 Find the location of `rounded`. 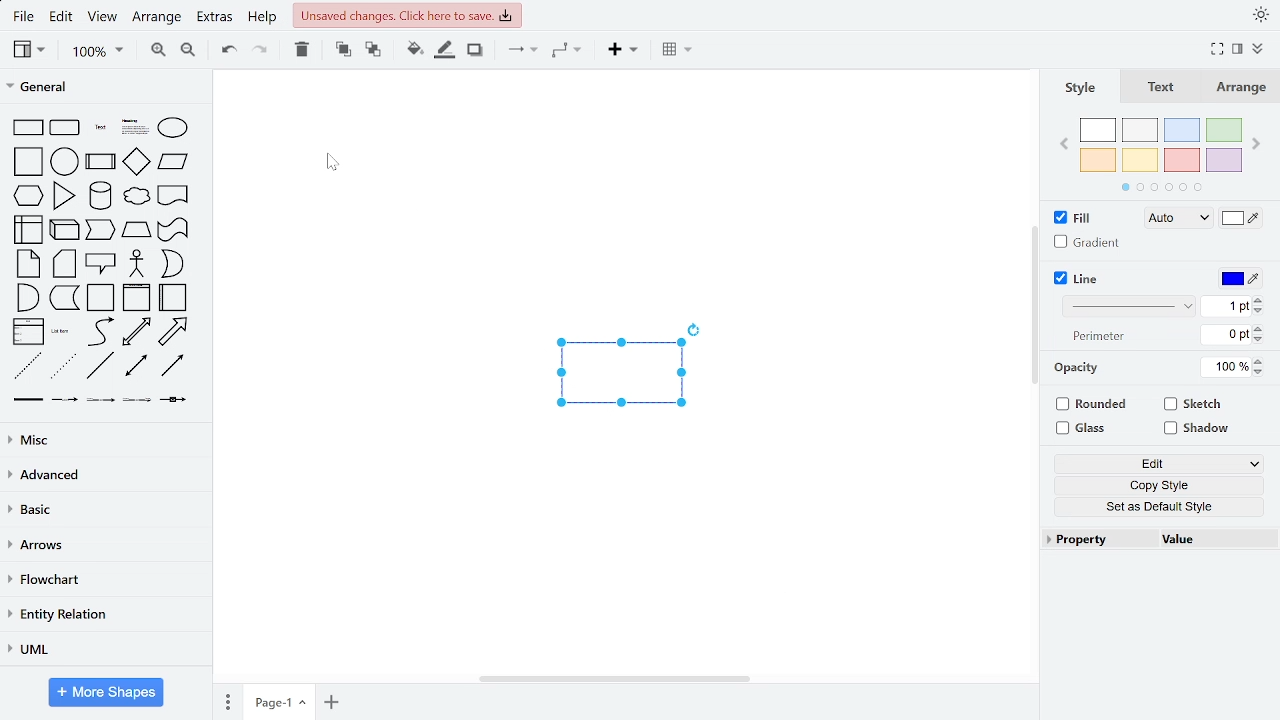

rounded is located at coordinates (1093, 406).